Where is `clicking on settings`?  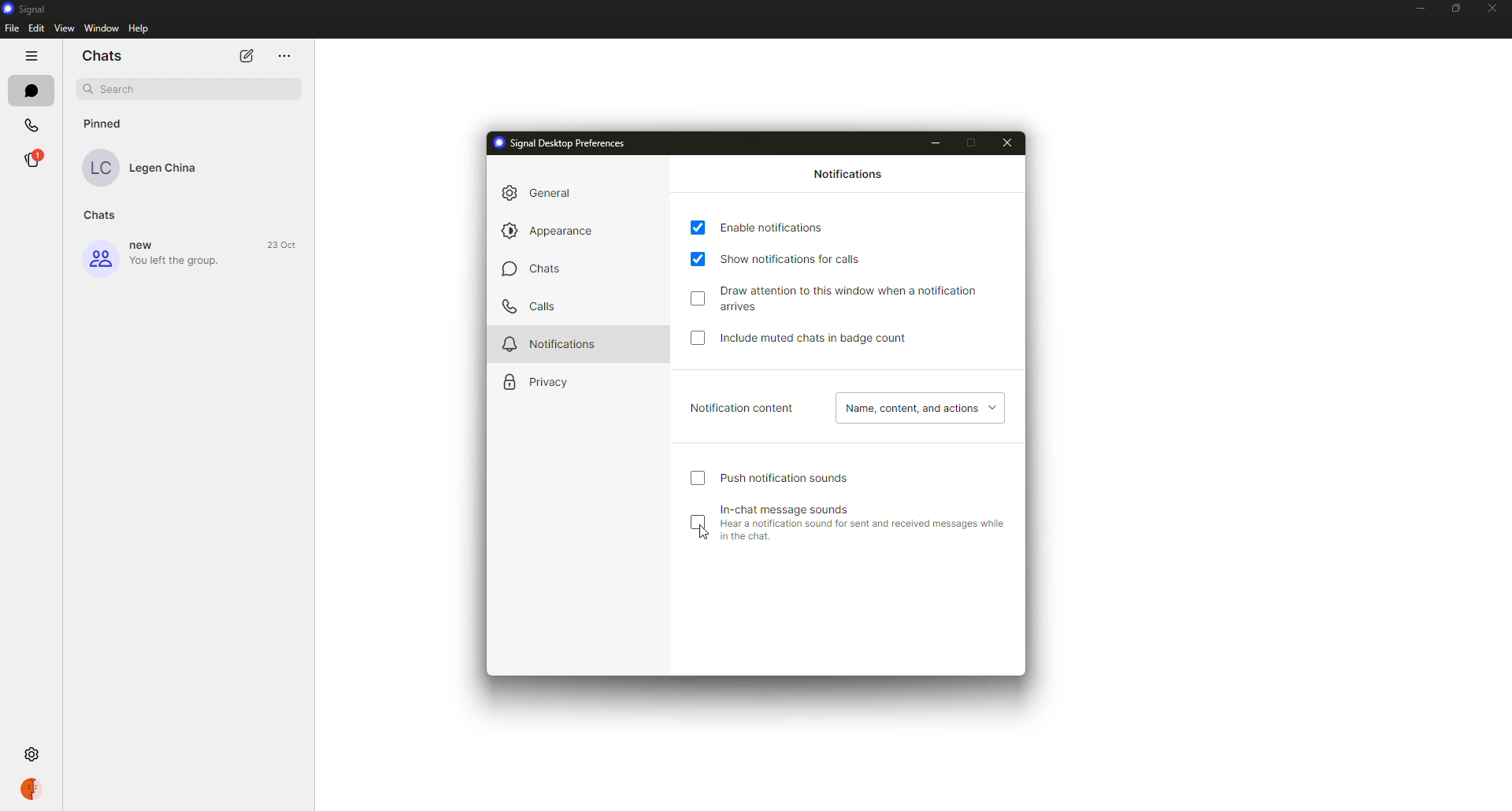
clicking on settings is located at coordinates (31, 754).